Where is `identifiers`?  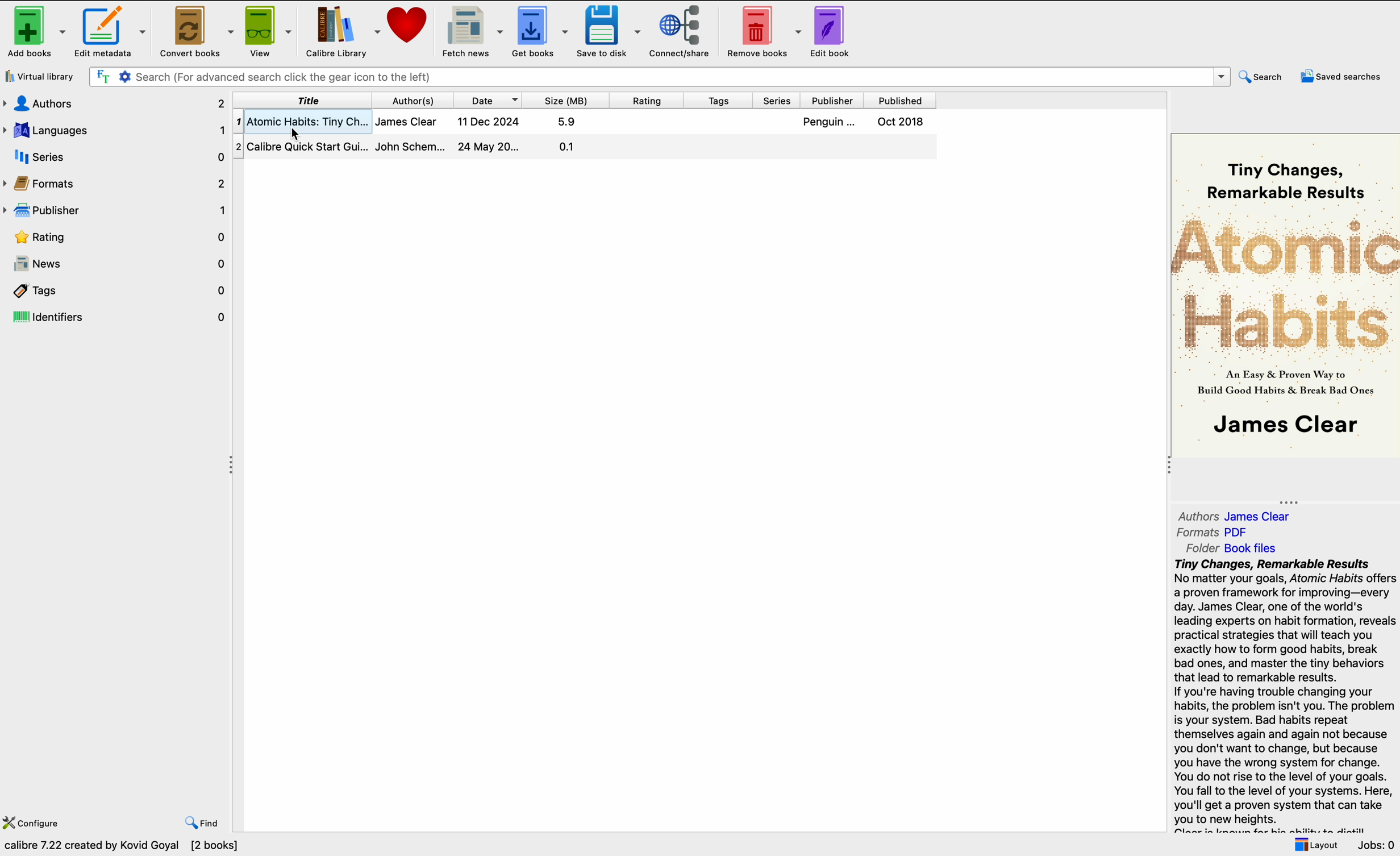 identifiers is located at coordinates (116, 318).